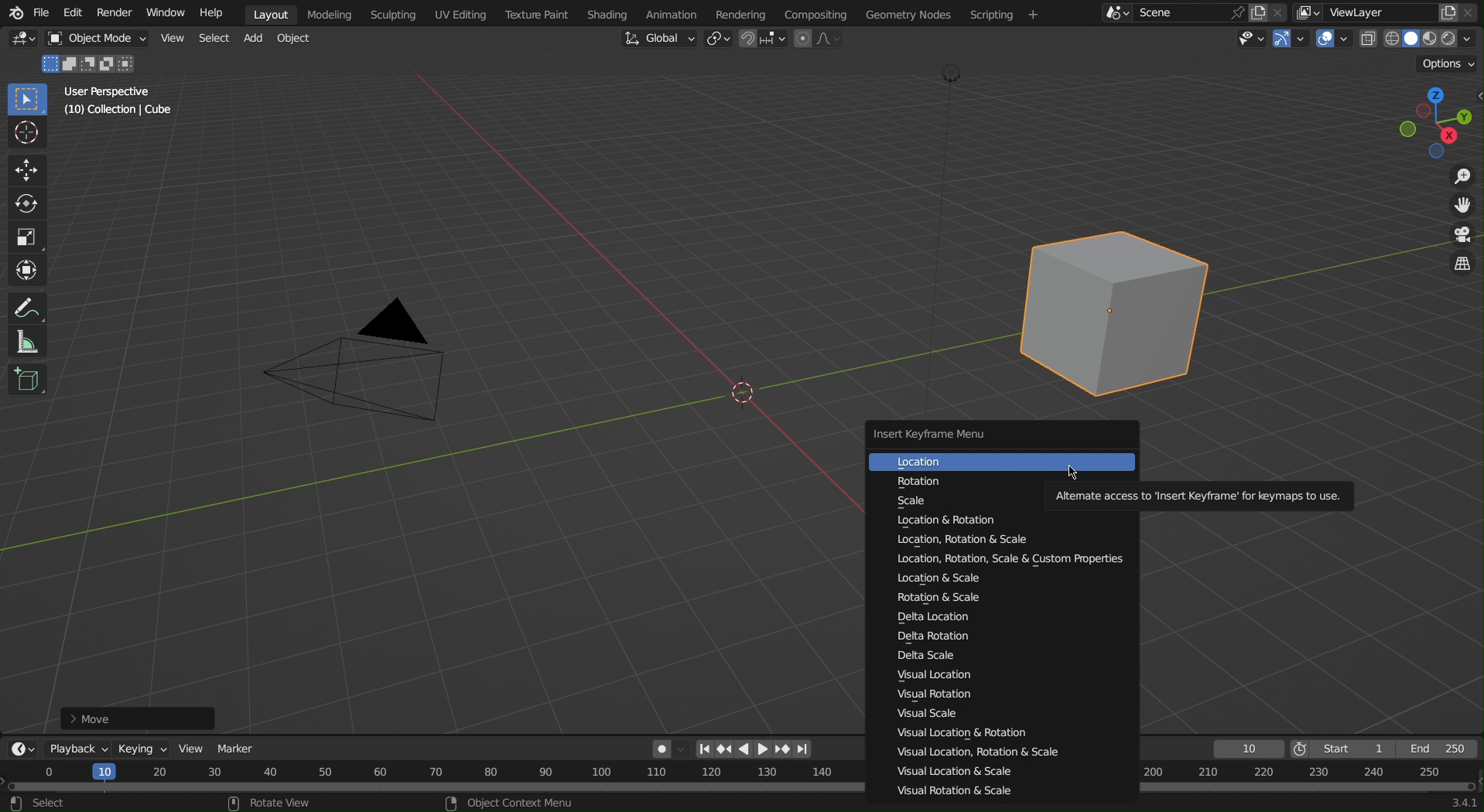 This screenshot has height=812, width=1484. I want to click on Editor Type, so click(20, 749).